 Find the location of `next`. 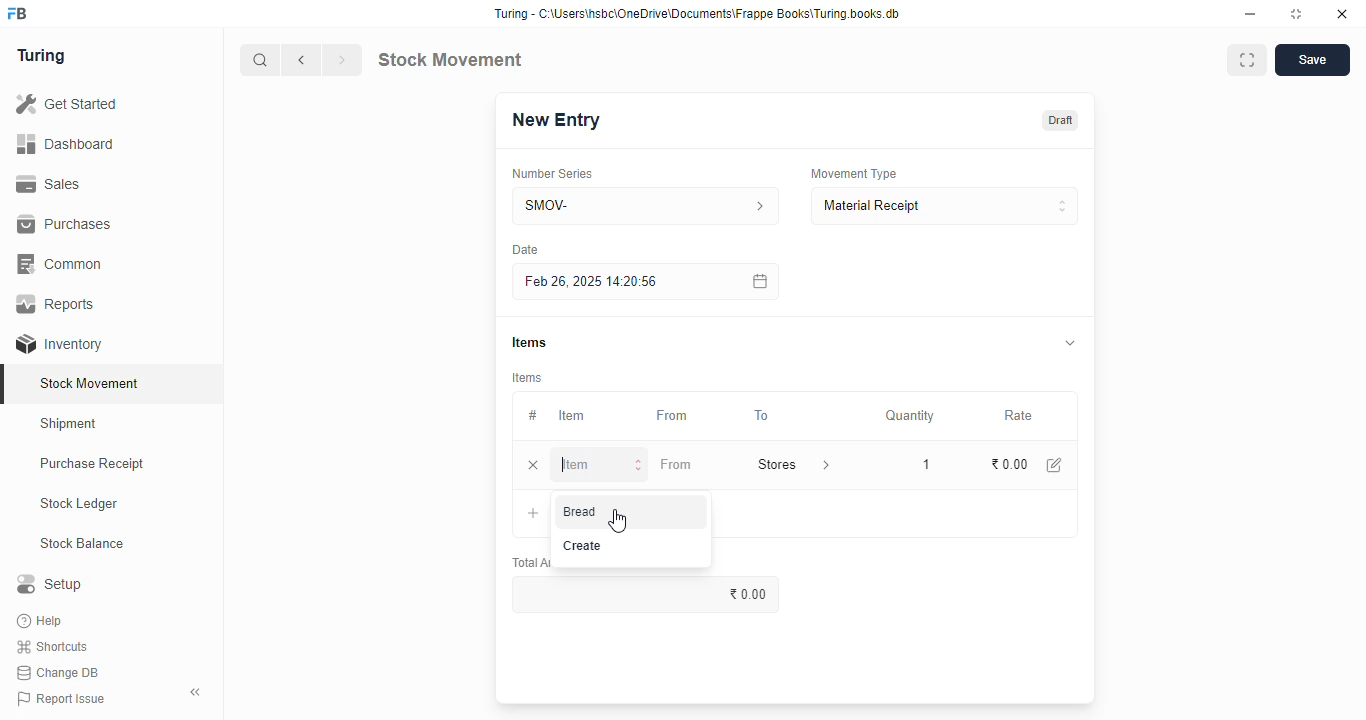

next is located at coordinates (342, 60).